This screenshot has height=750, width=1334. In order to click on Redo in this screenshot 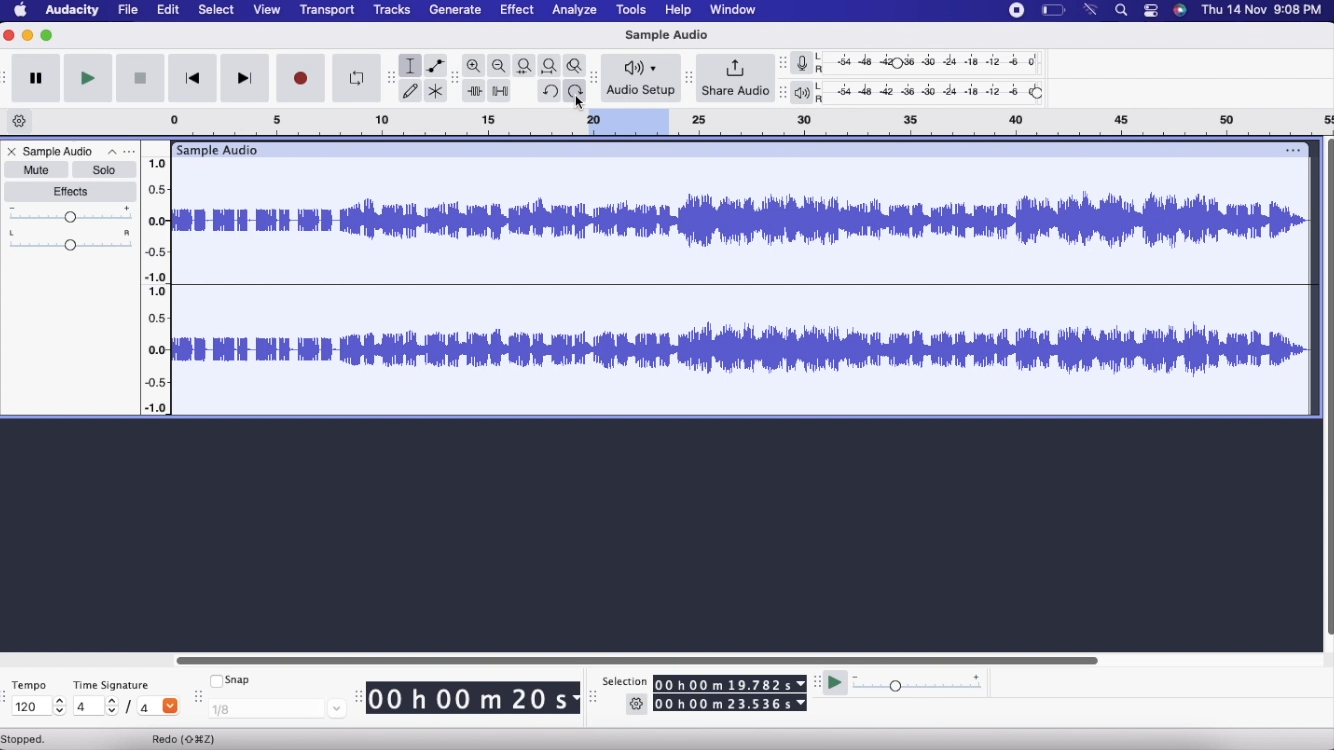, I will do `click(190, 738)`.